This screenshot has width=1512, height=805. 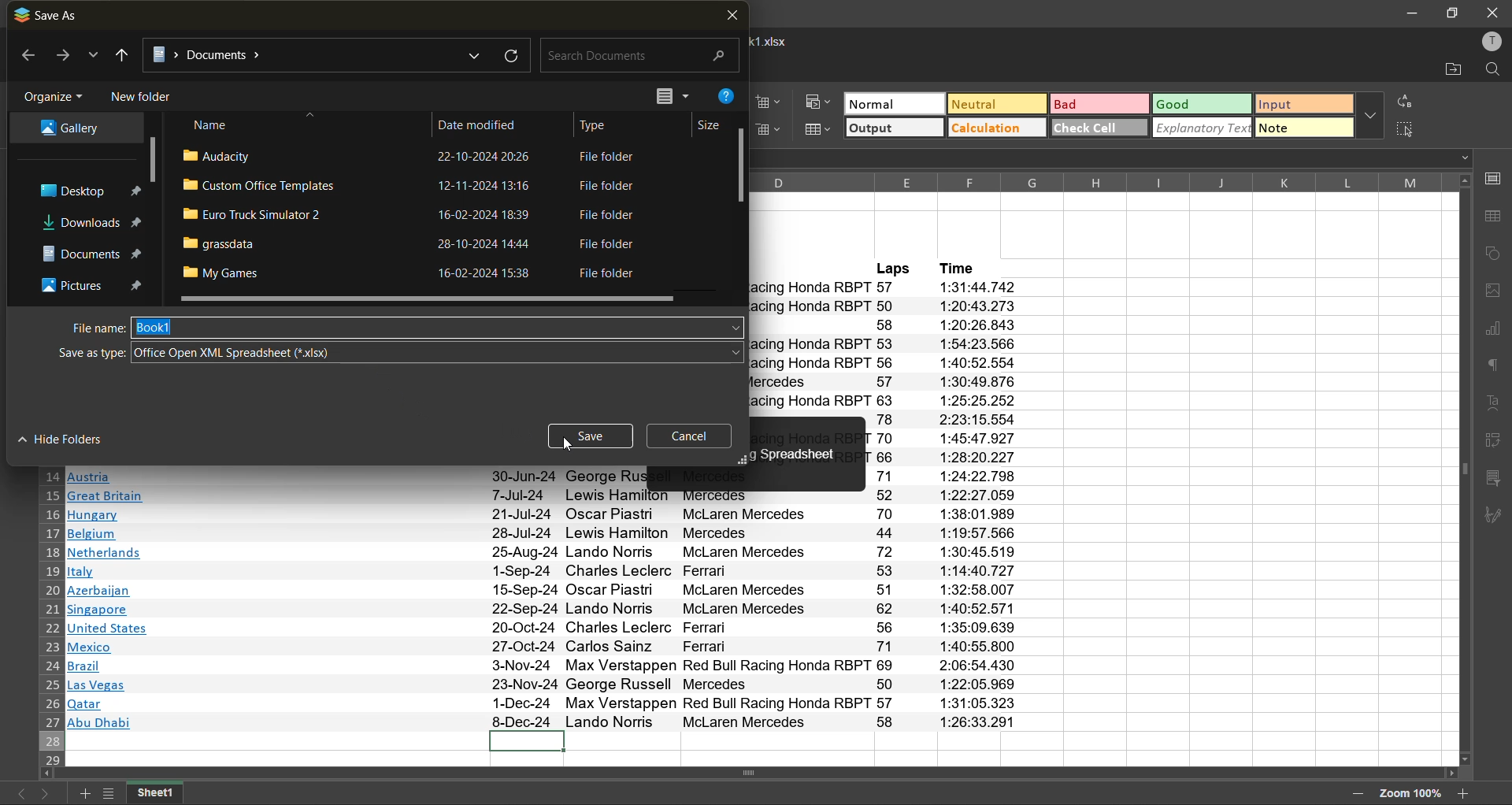 I want to click on 16-02-2024 18:39, so click(x=482, y=213).